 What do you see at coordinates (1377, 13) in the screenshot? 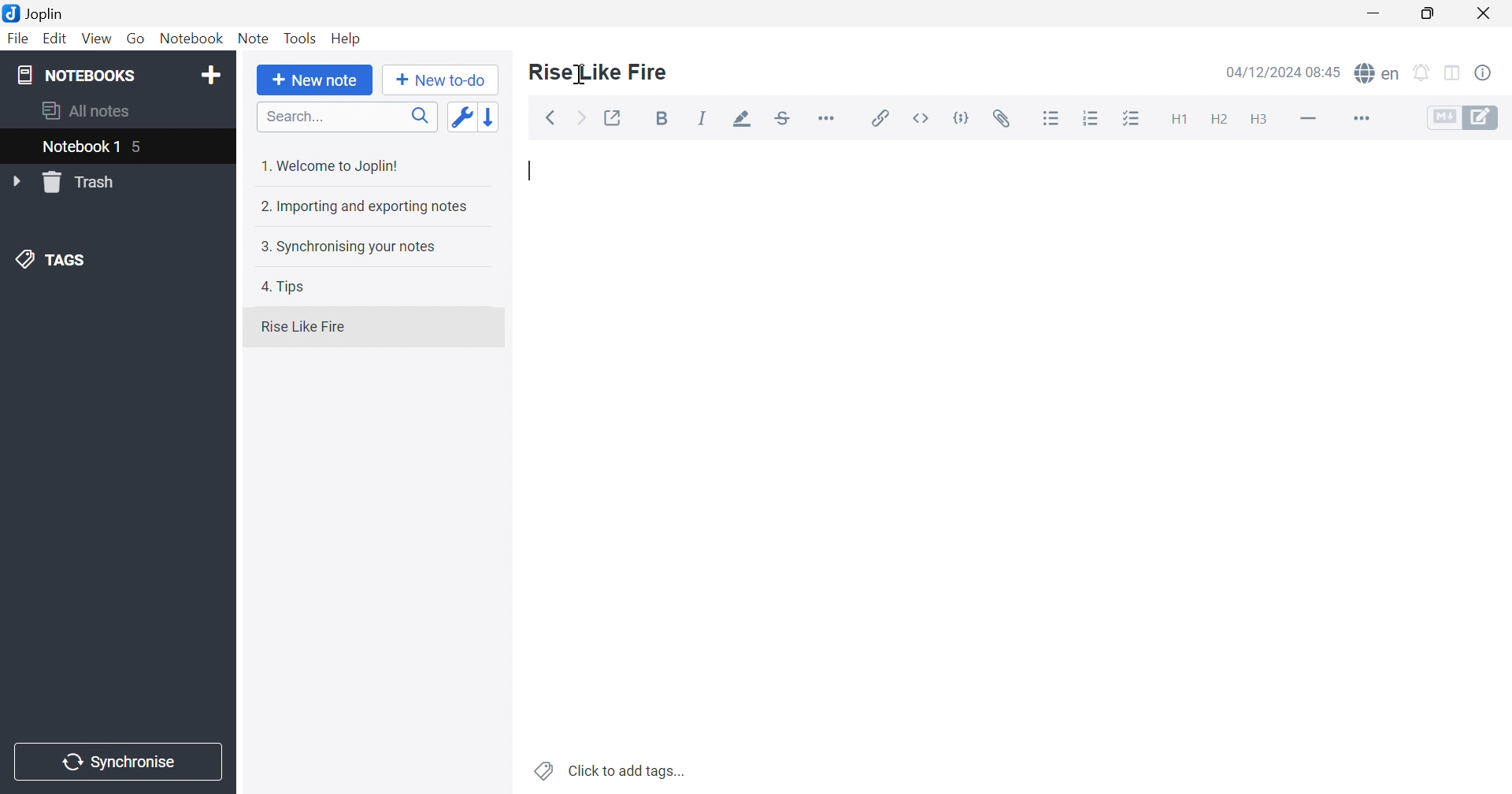
I see `Minimize` at bounding box center [1377, 13].